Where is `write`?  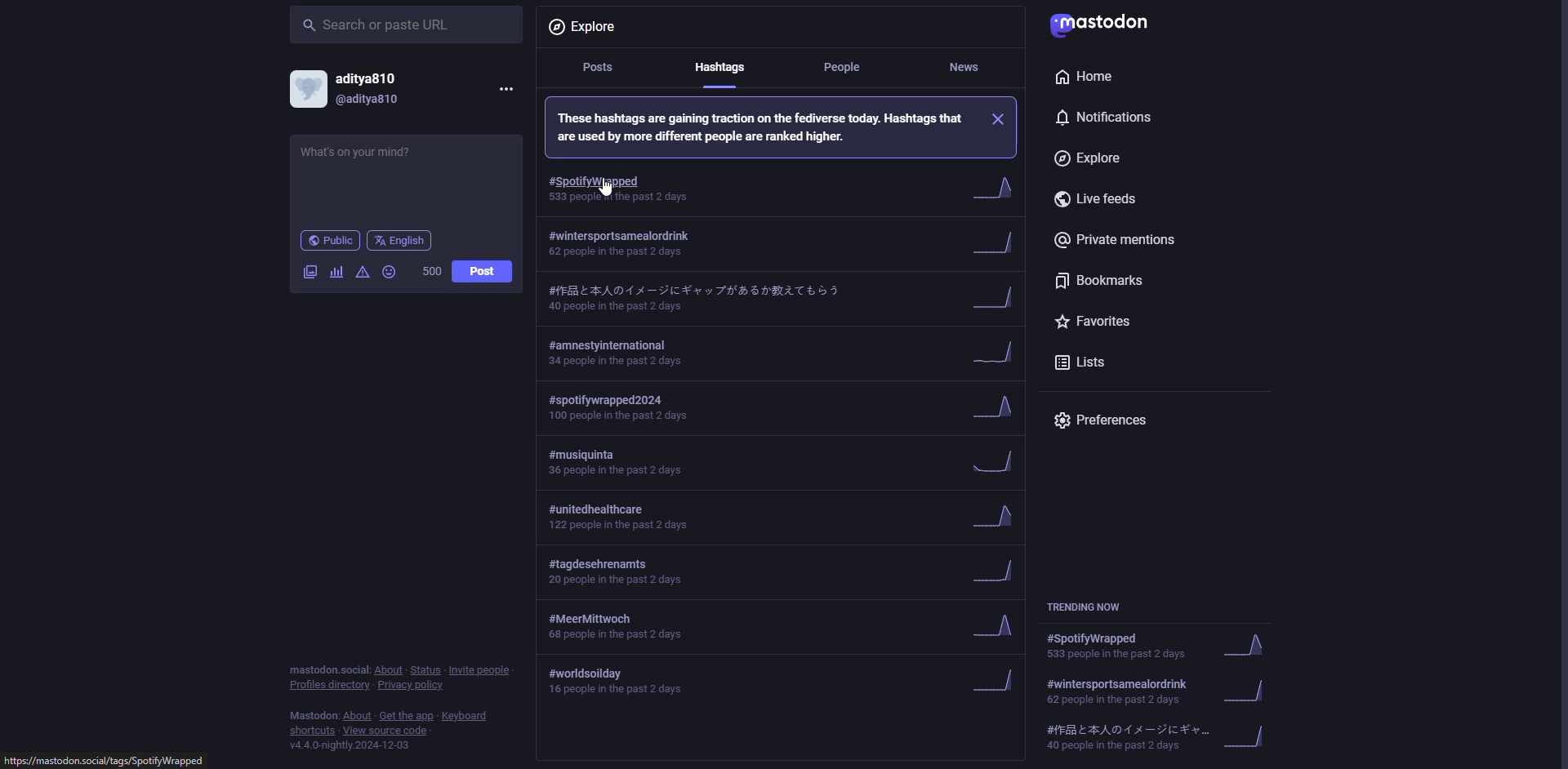
write is located at coordinates (373, 166).